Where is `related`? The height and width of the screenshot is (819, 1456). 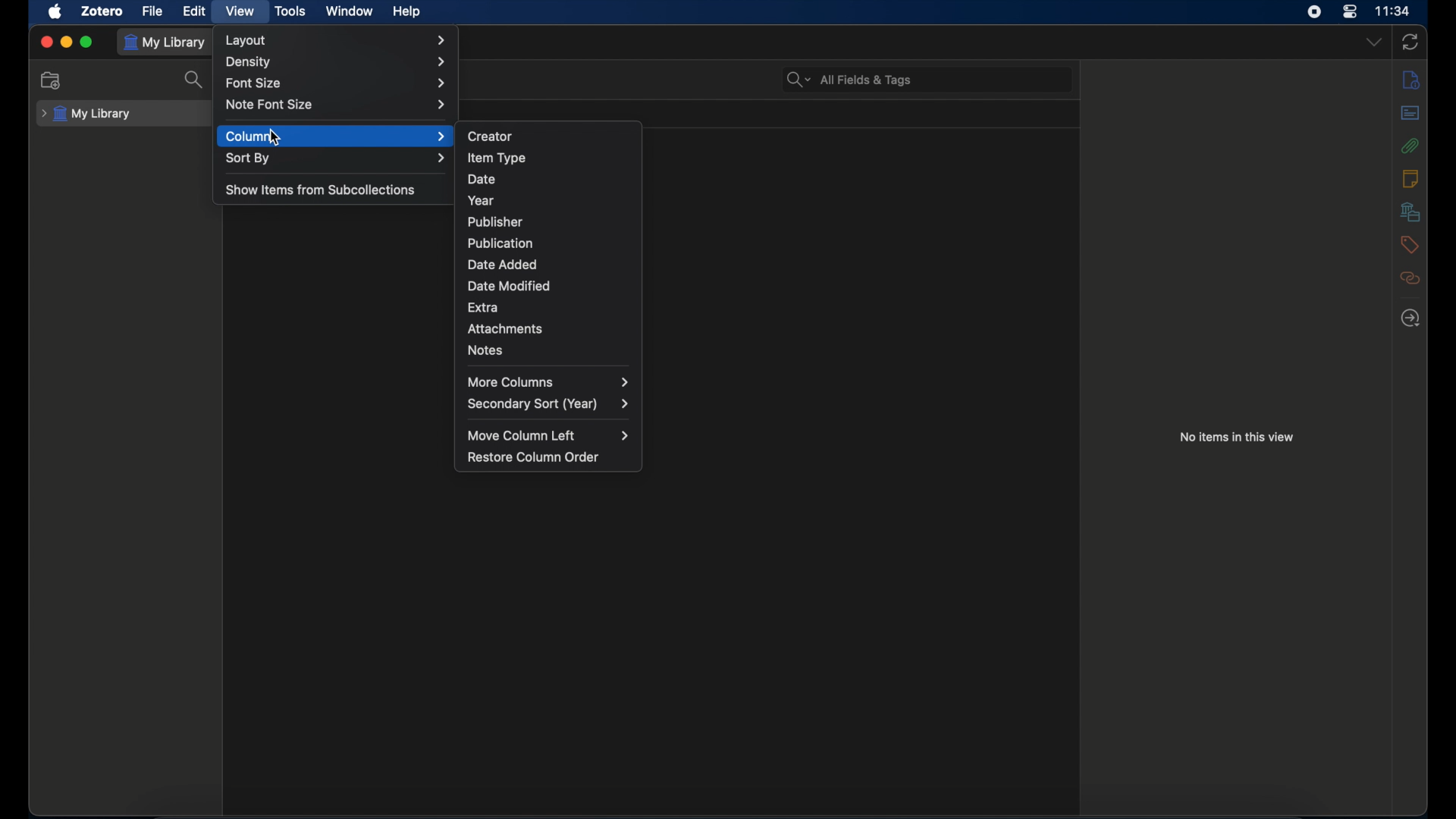
related is located at coordinates (1410, 278).